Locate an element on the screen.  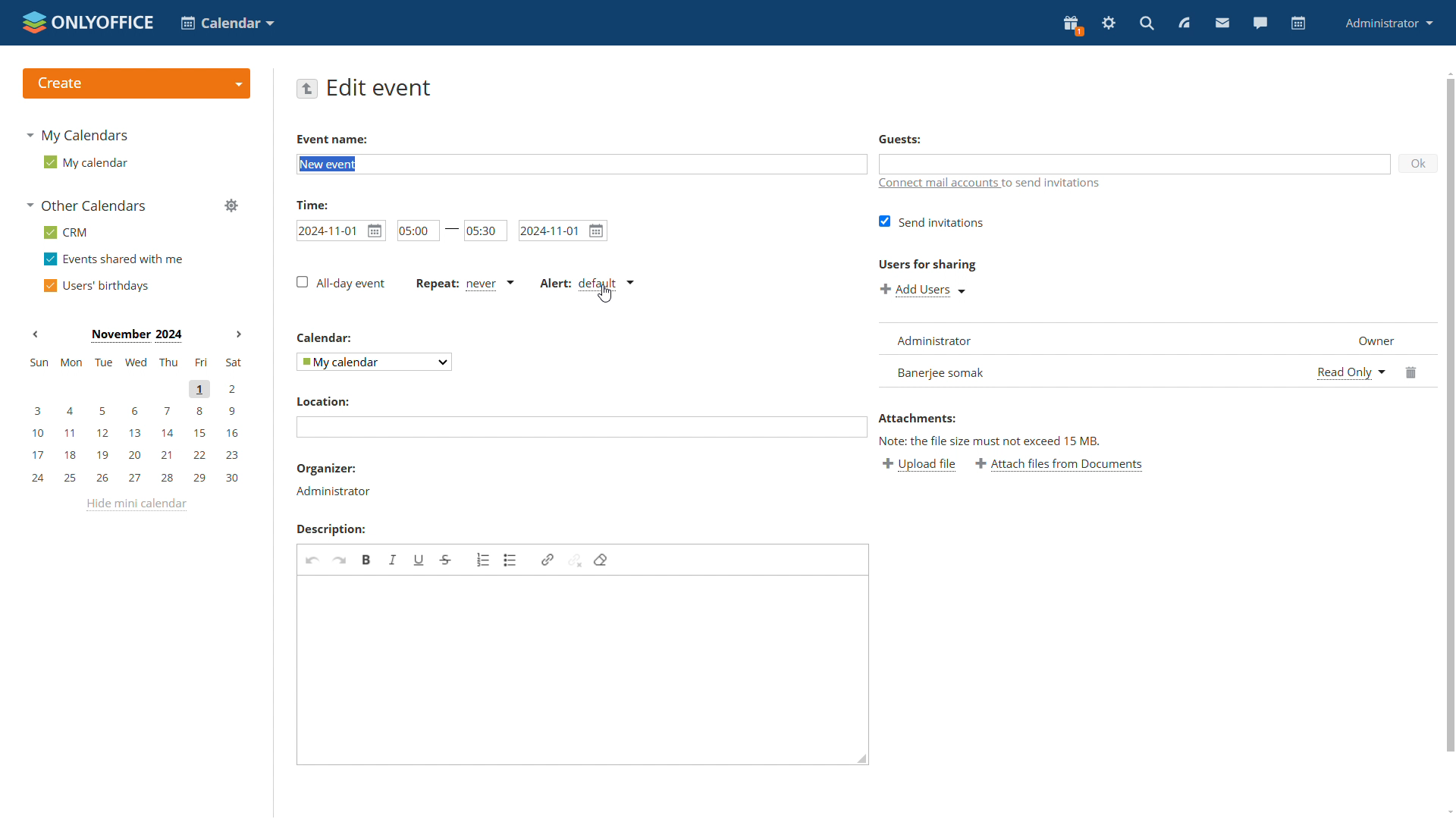
scroll down is located at coordinates (1447, 810).